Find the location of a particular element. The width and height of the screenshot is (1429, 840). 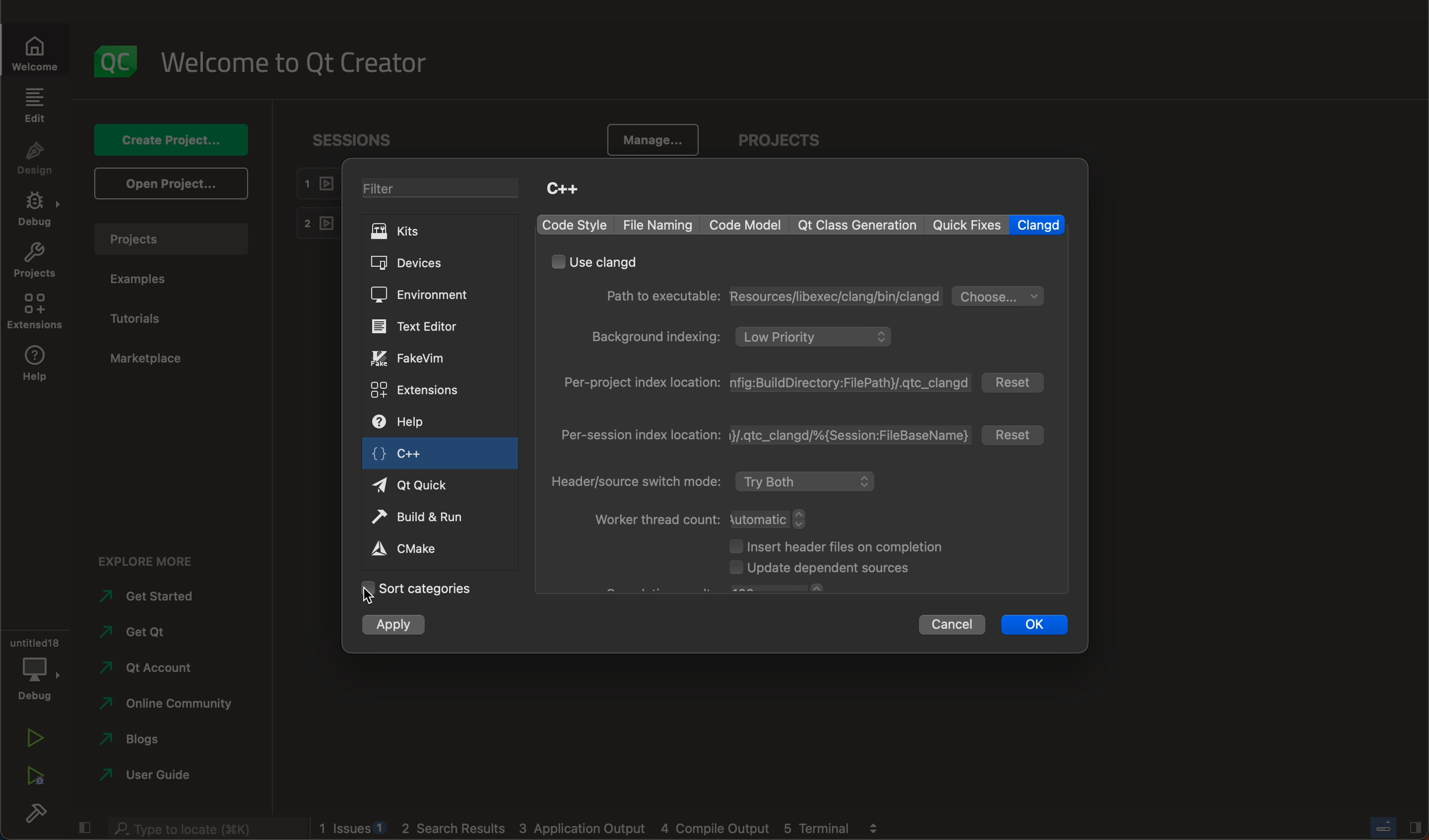

choose is located at coordinates (1000, 295).